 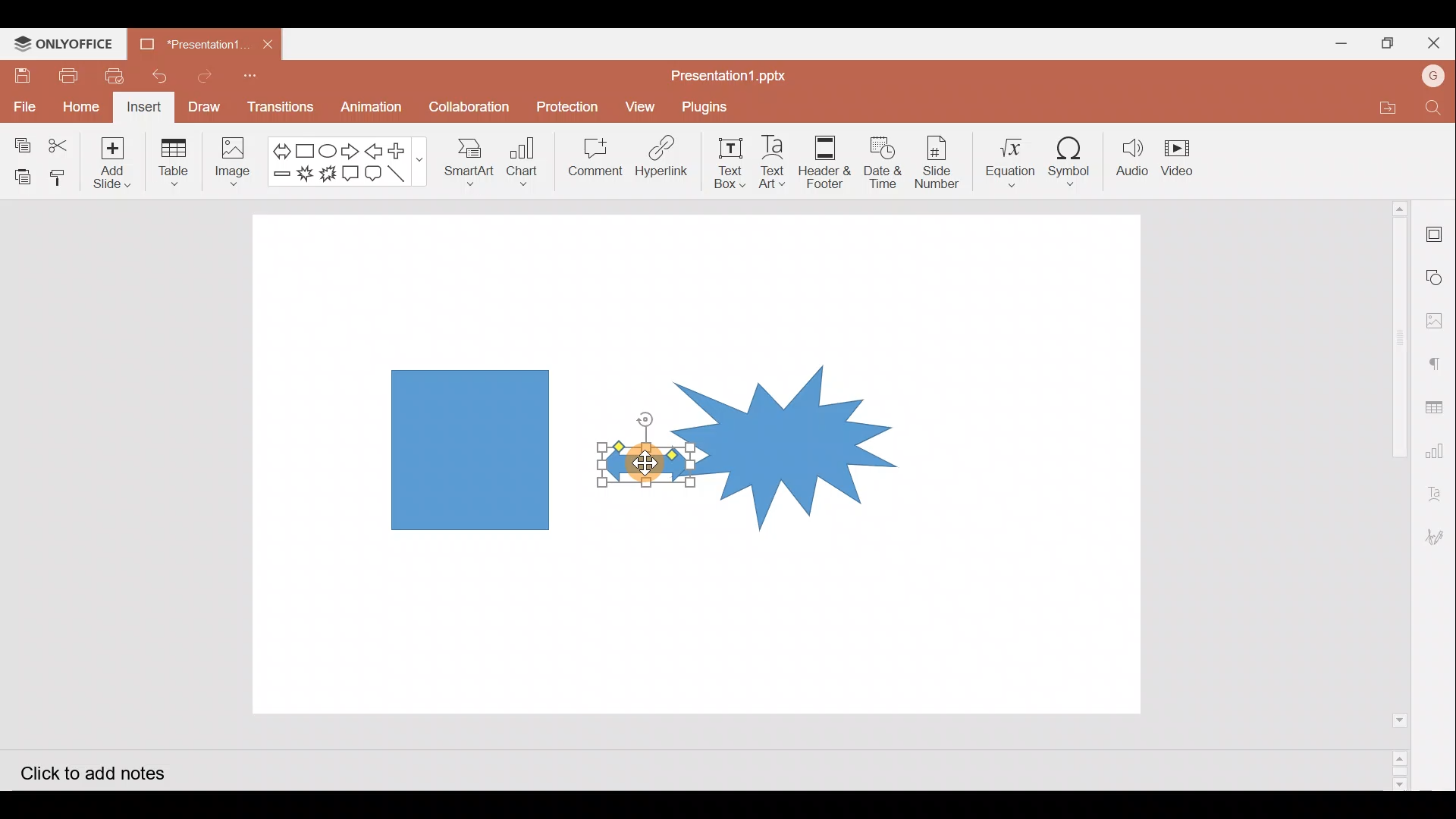 I want to click on Left right arrow, so click(x=636, y=463).